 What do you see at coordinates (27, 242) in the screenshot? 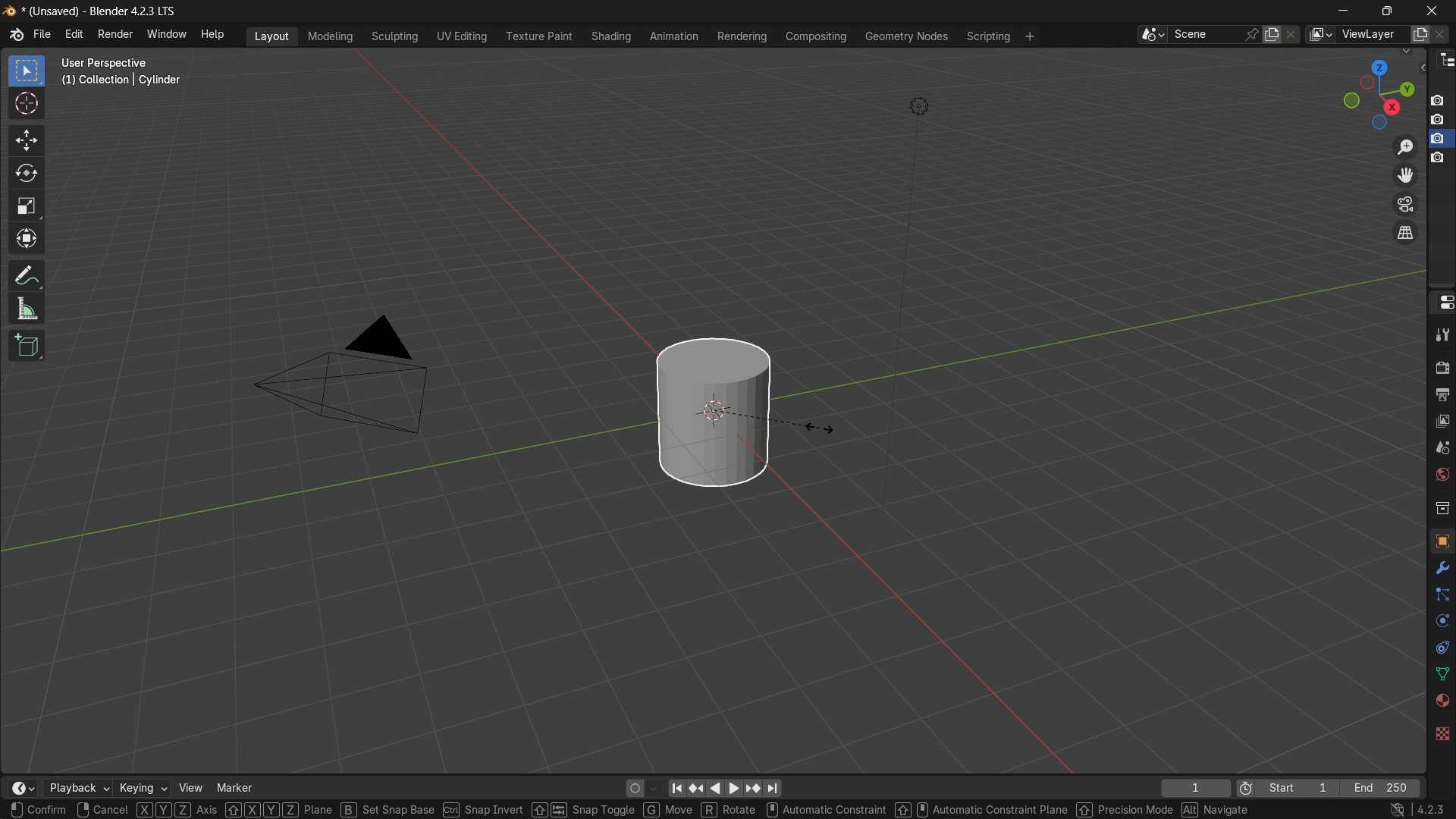
I see `transform` at bounding box center [27, 242].